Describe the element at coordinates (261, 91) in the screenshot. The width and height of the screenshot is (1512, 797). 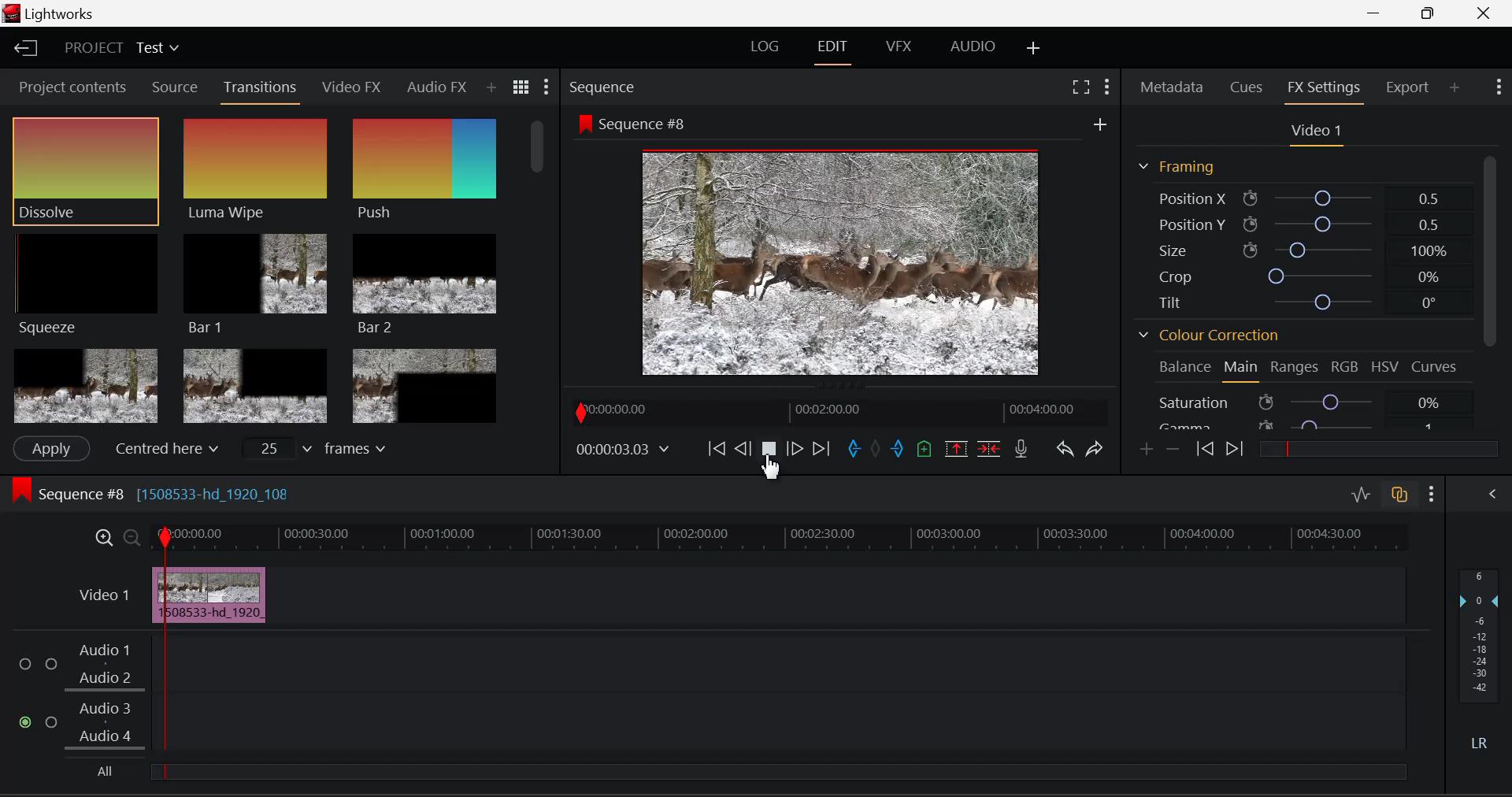
I see `Transitions Panel Open` at that location.